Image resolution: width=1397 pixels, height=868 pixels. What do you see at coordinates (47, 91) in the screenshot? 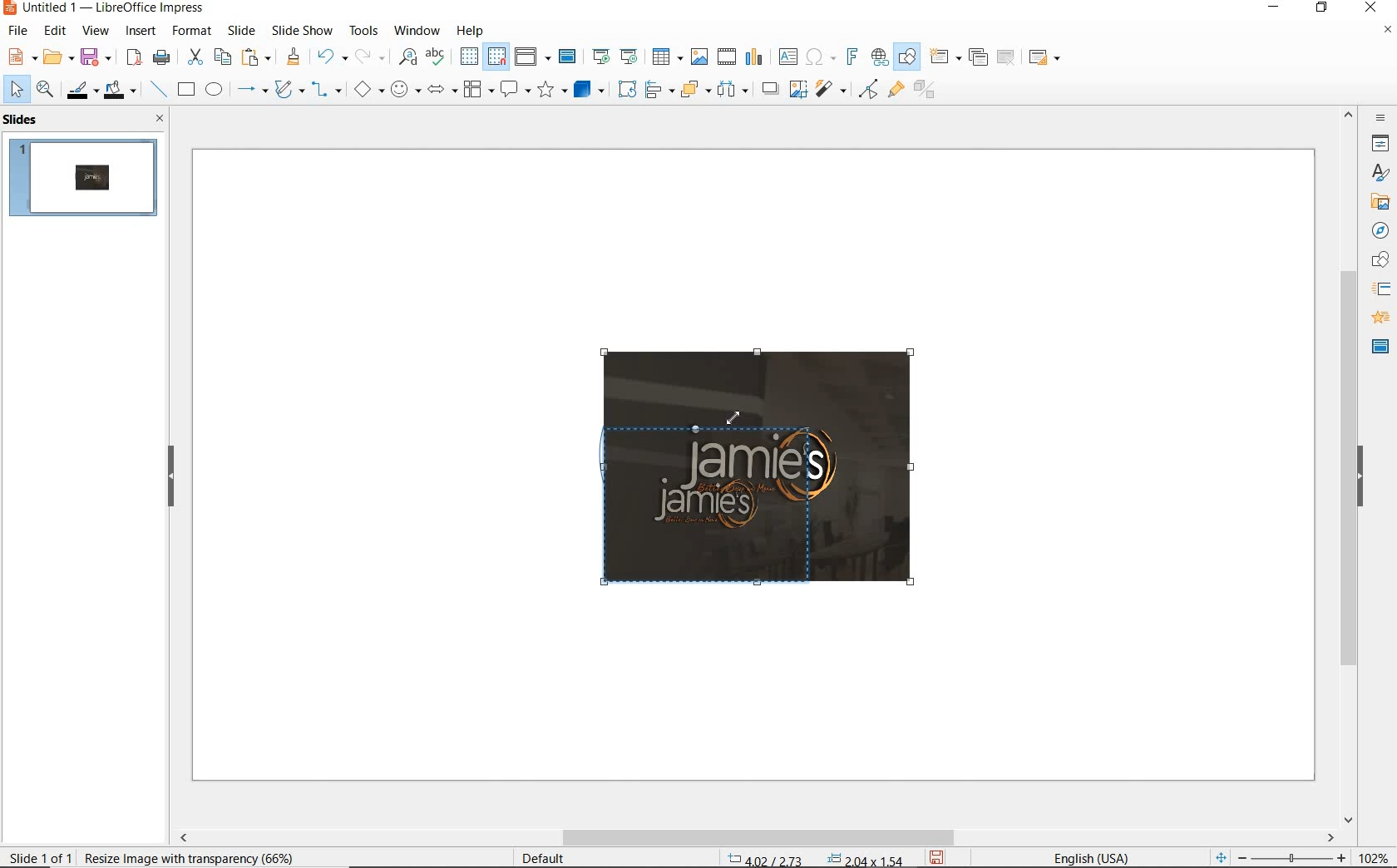
I see `zoom & pan` at bounding box center [47, 91].